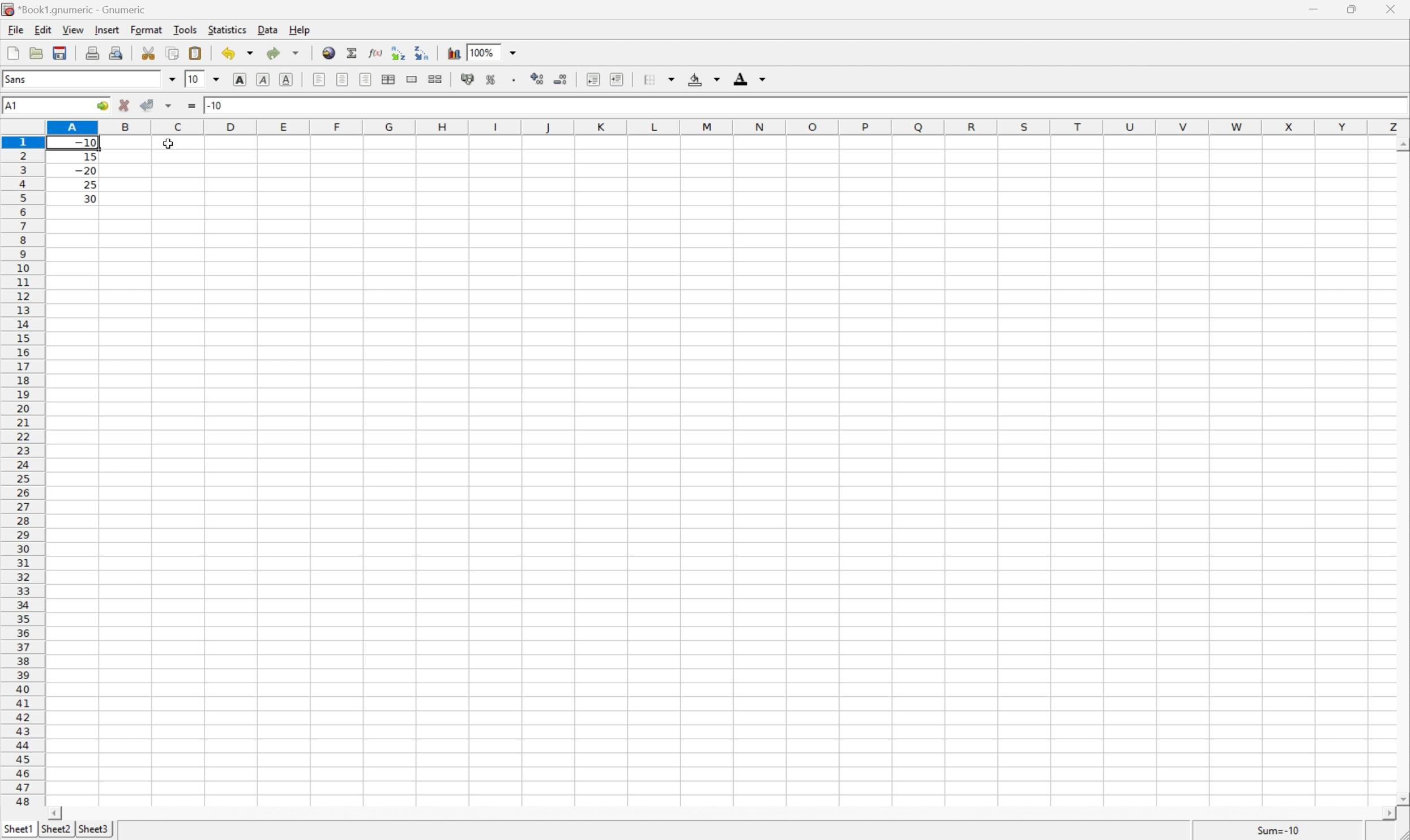 The height and width of the screenshot is (840, 1410). What do you see at coordinates (239, 53) in the screenshot?
I see `Undo` at bounding box center [239, 53].